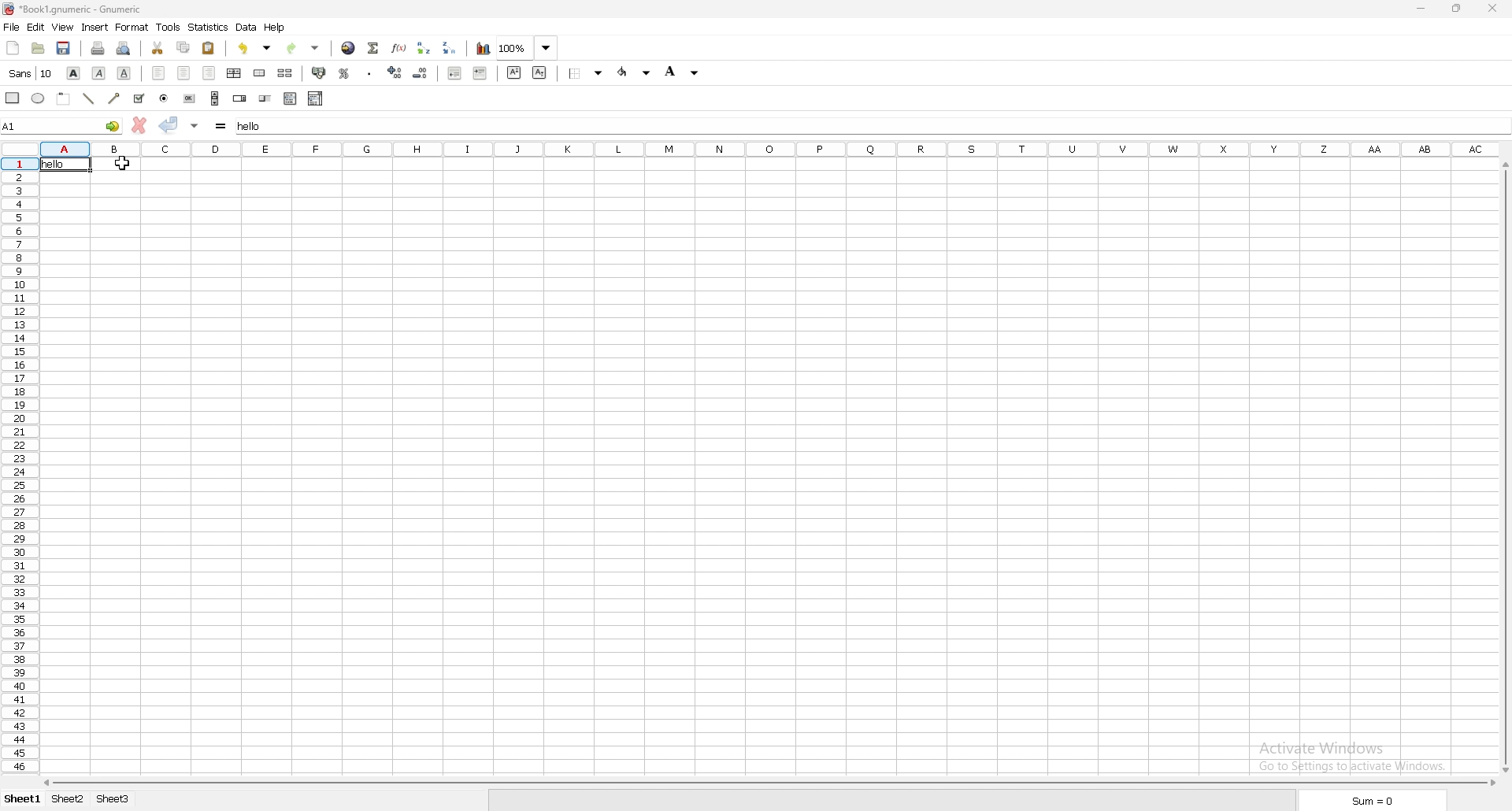 The width and height of the screenshot is (1512, 811). What do you see at coordinates (65, 98) in the screenshot?
I see `create frame` at bounding box center [65, 98].